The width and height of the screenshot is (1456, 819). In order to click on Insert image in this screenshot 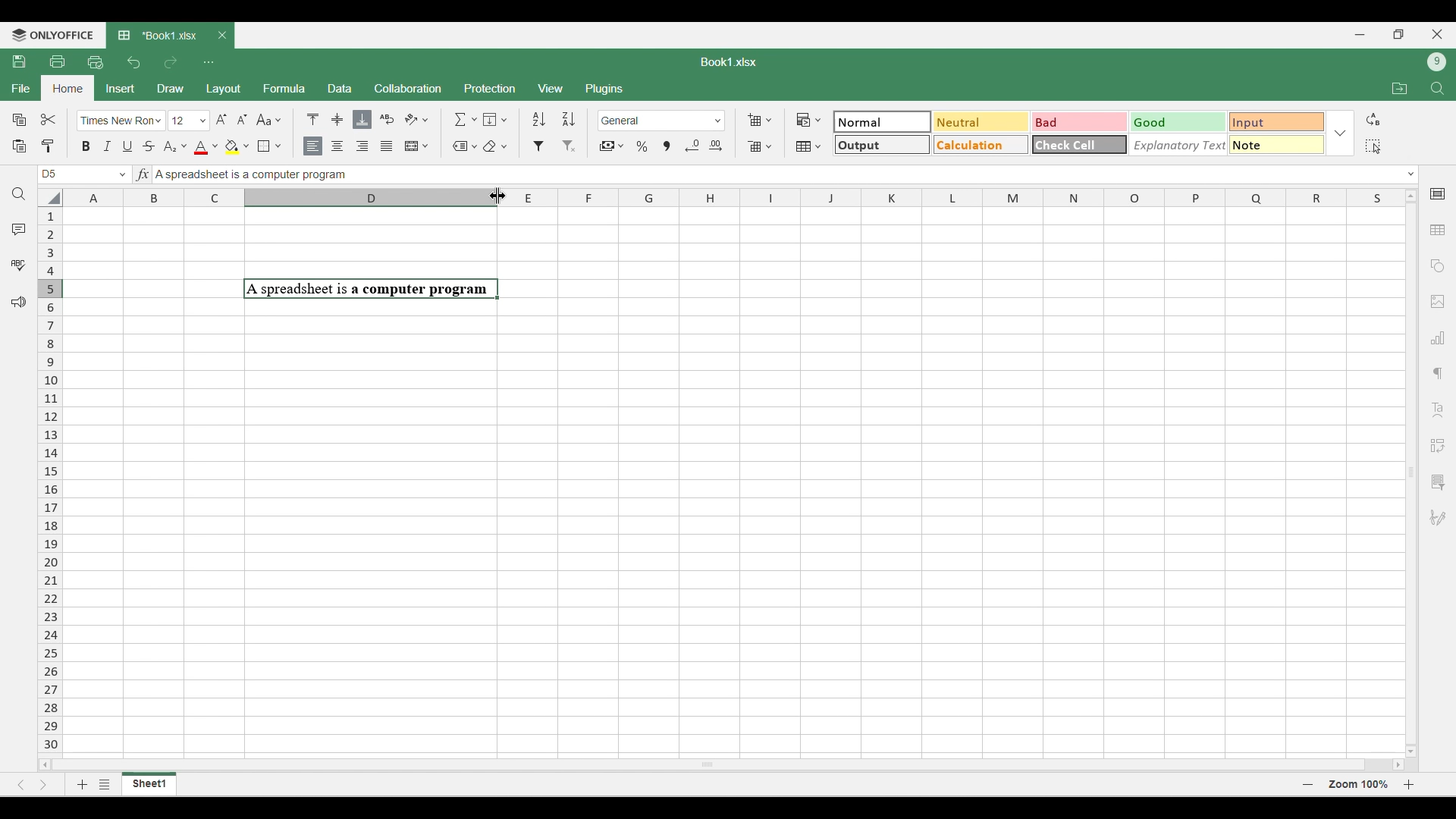, I will do `click(1439, 303)`.